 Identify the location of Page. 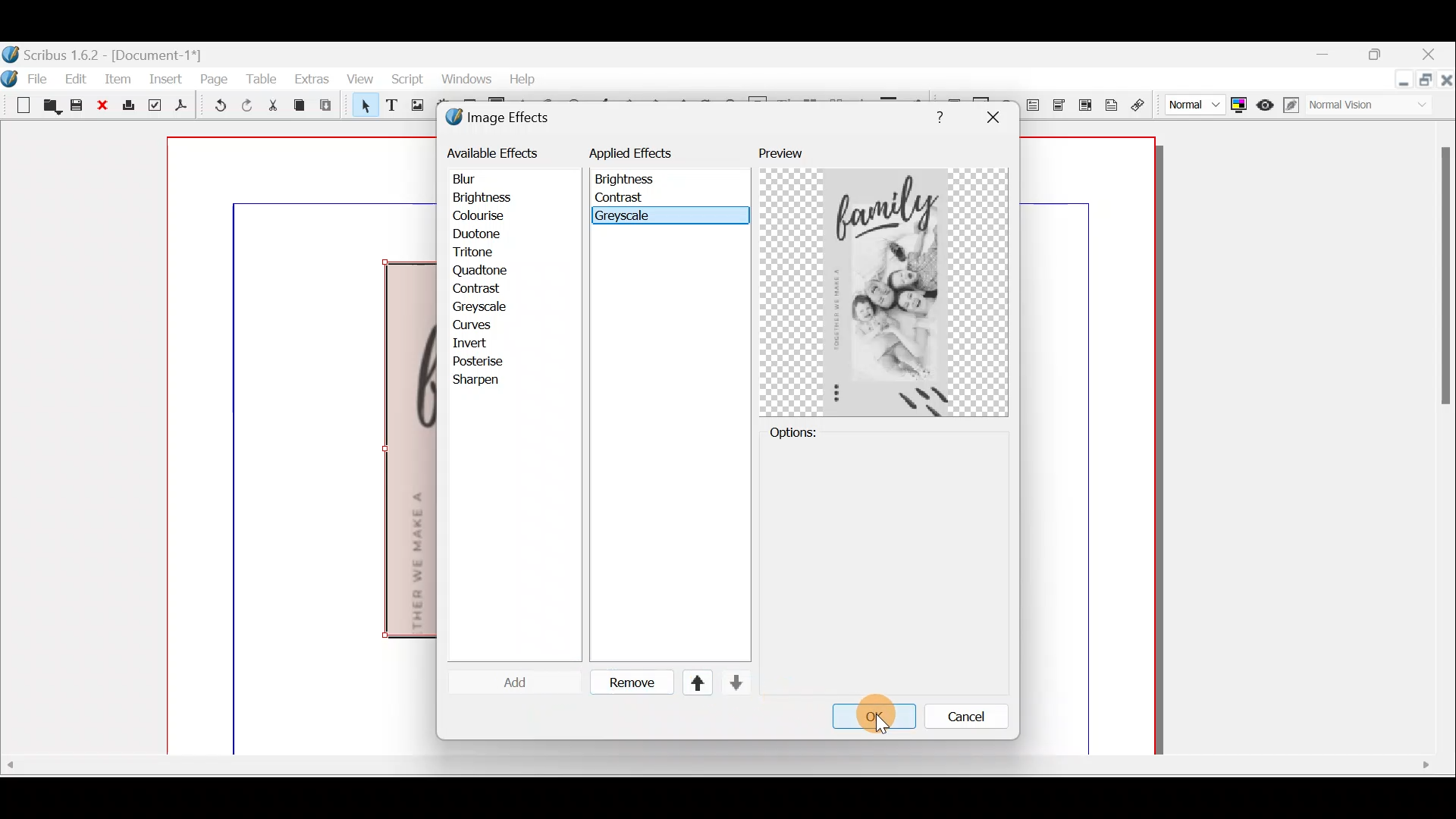
(213, 81).